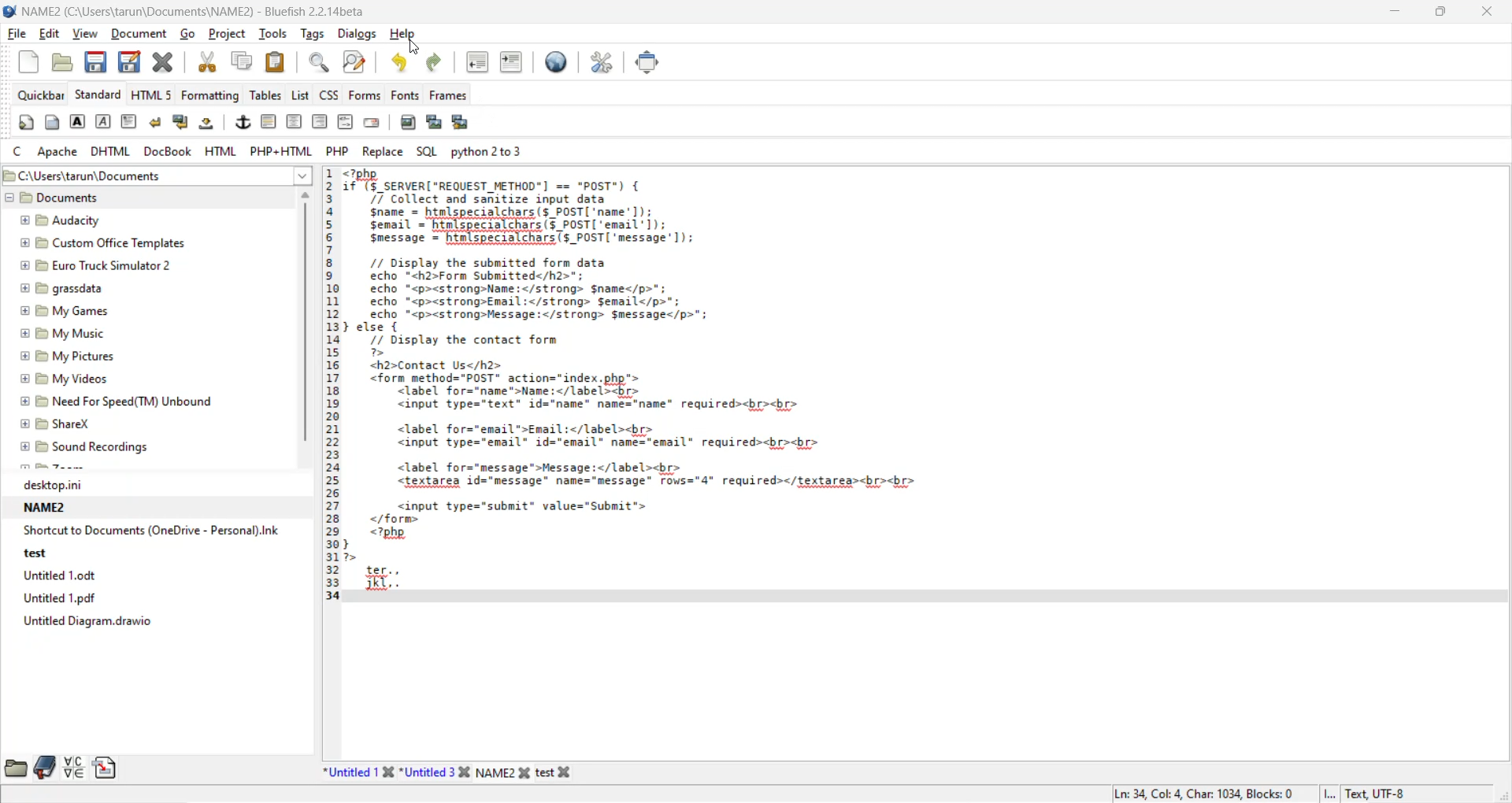  What do you see at coordinates (636, 389) in the screenshot?
I see `code editor` at bounding box center [636, 389].